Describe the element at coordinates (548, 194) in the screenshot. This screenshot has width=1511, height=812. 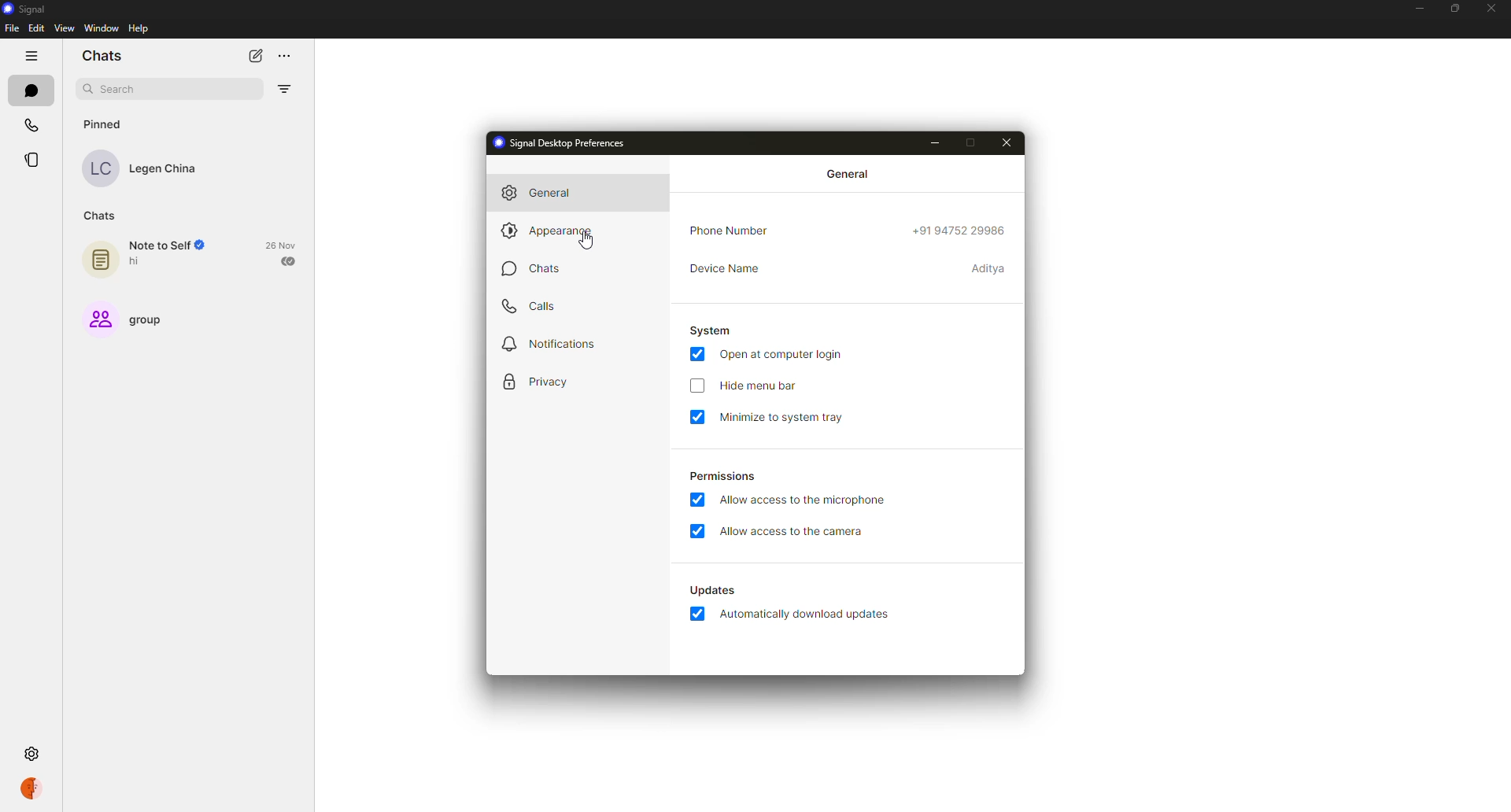
I see `general` at that location.